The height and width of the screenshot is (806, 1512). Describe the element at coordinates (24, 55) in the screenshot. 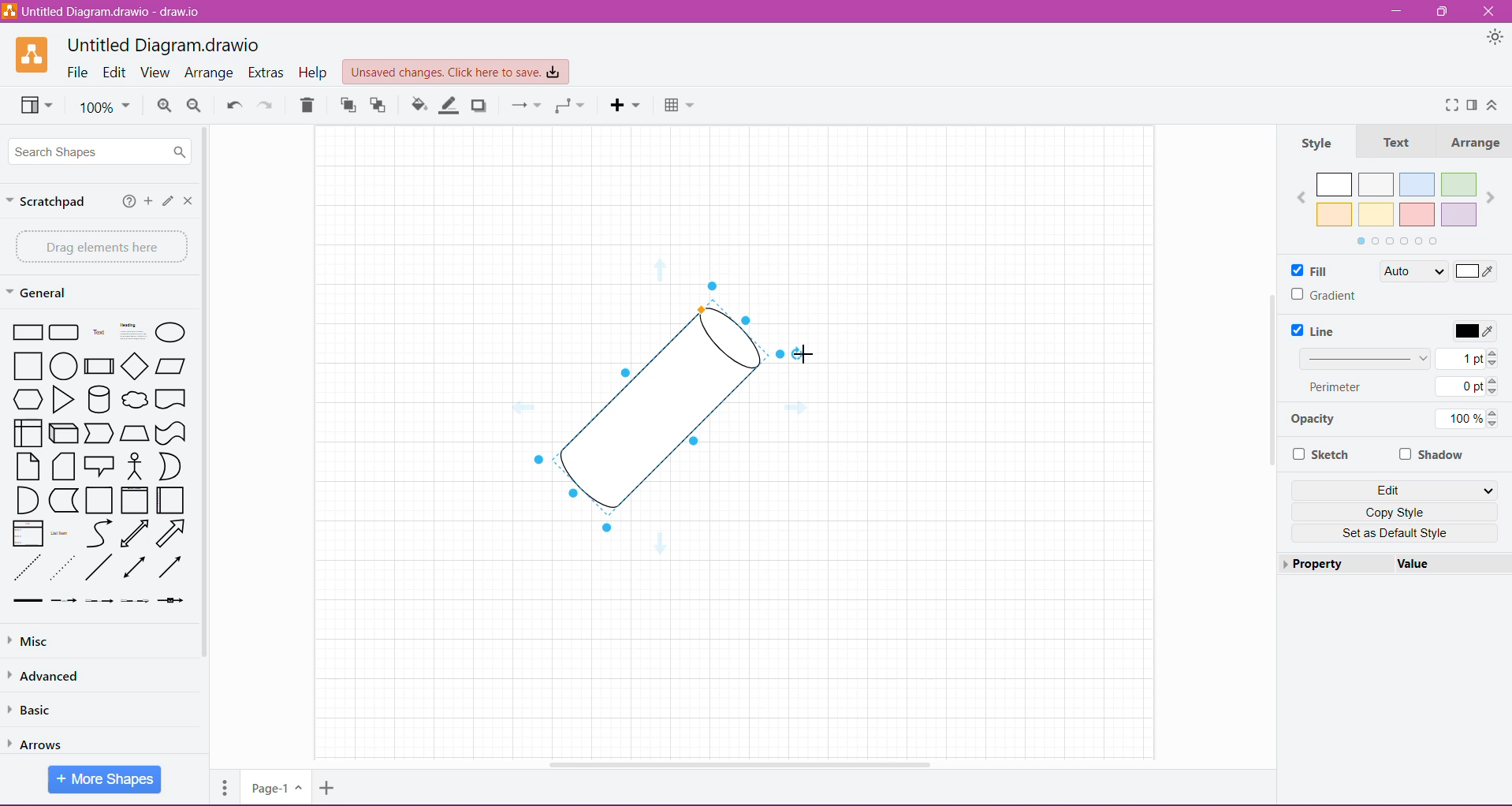

I see `Application Logo` at that location.